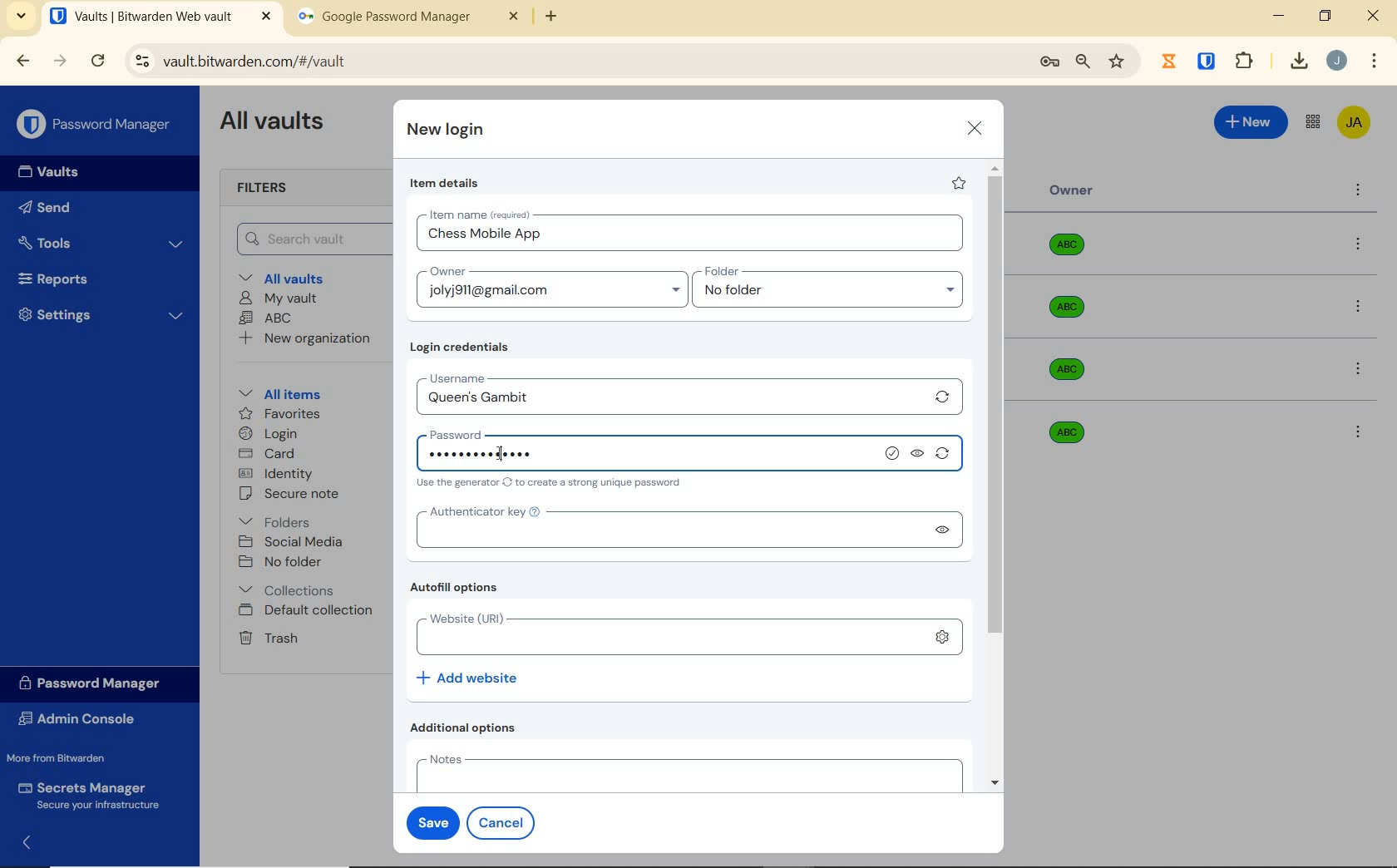 The width and height of the screenshot is (1397, 868). I want to click on close, so click(1375, 16).